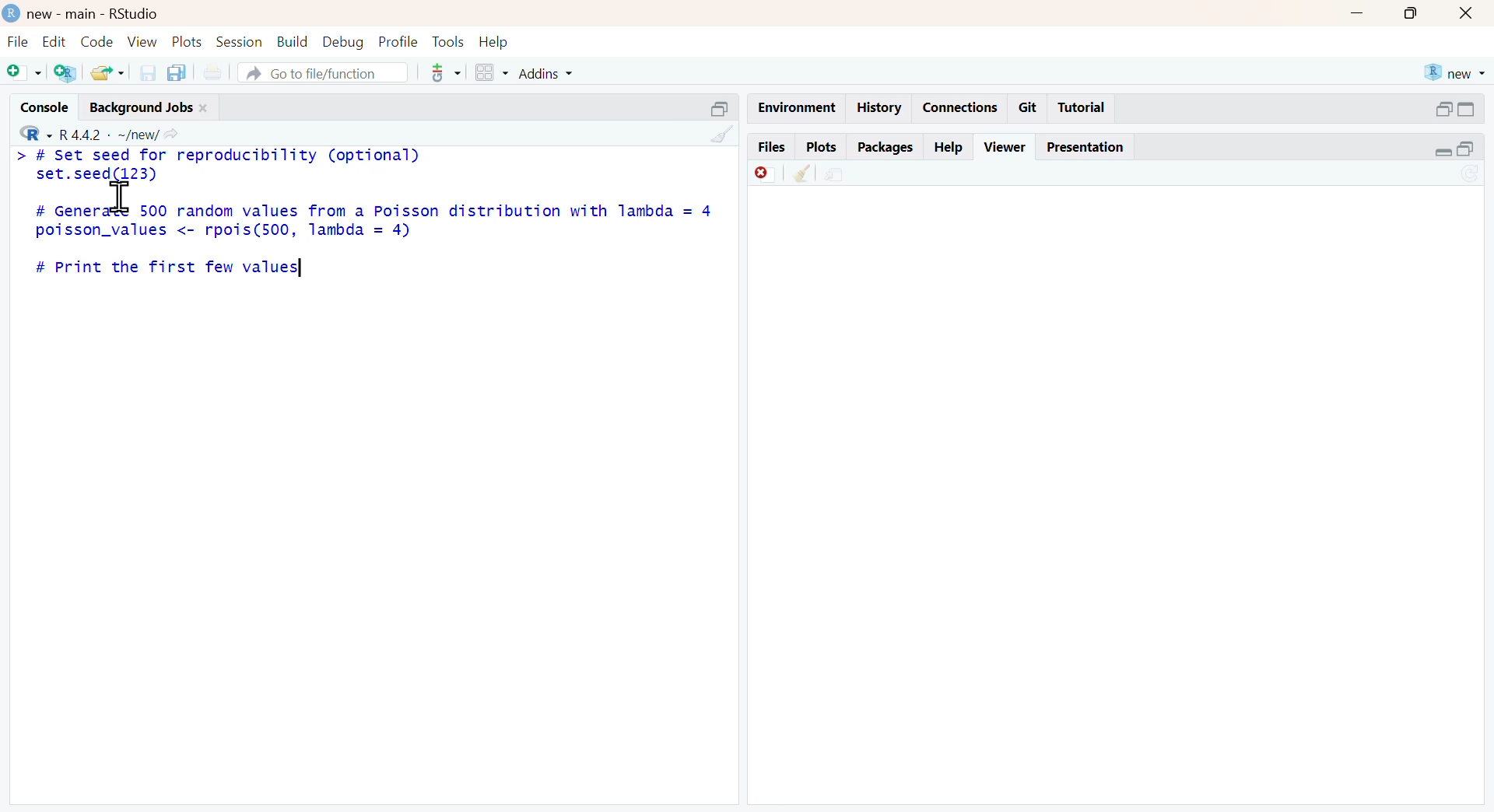 The width and height of the screenshot is (1494, 812). I want to click on new, so click(1456, 74).